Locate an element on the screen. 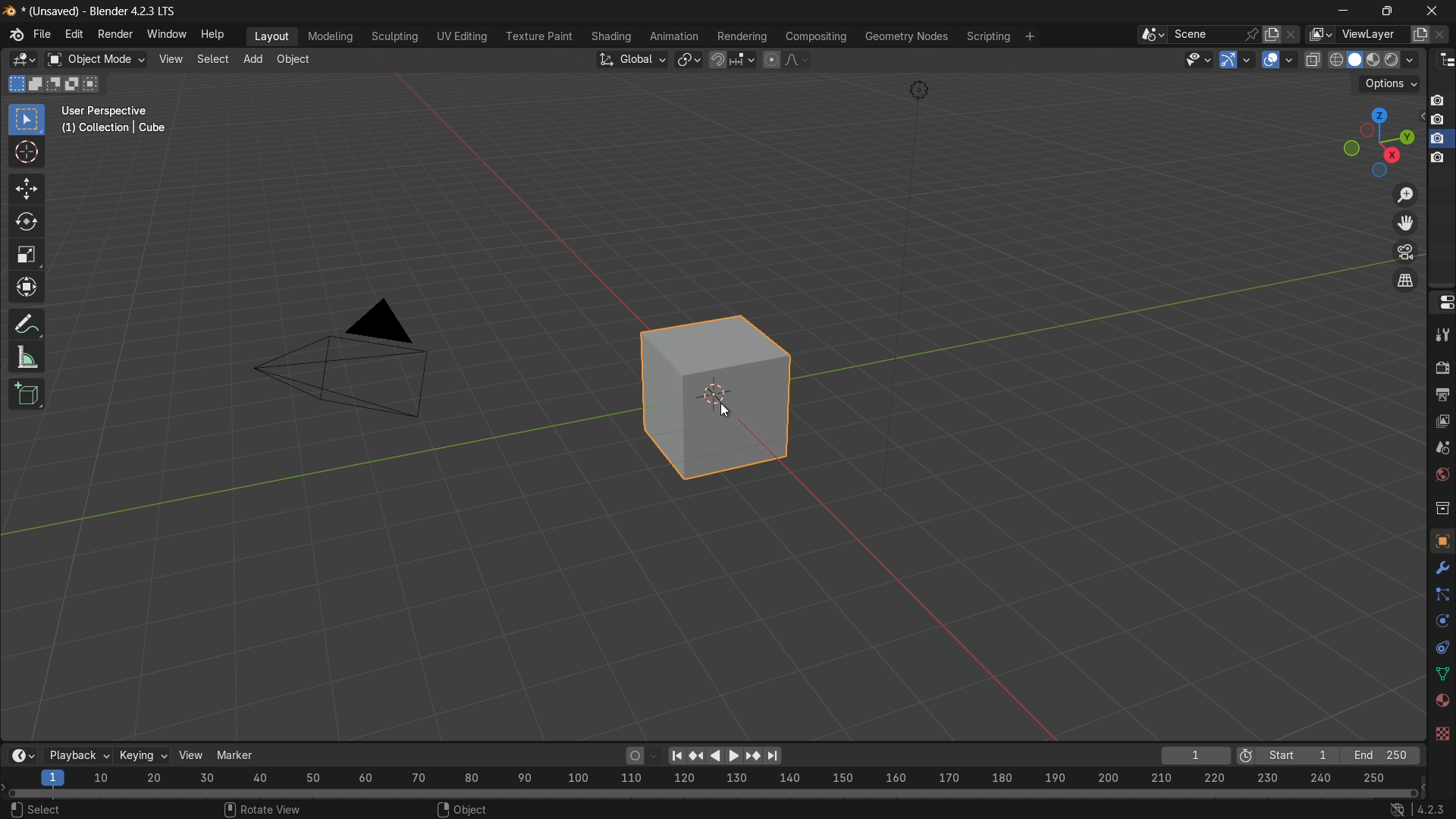  object tab is located at coordinates (297, 59).